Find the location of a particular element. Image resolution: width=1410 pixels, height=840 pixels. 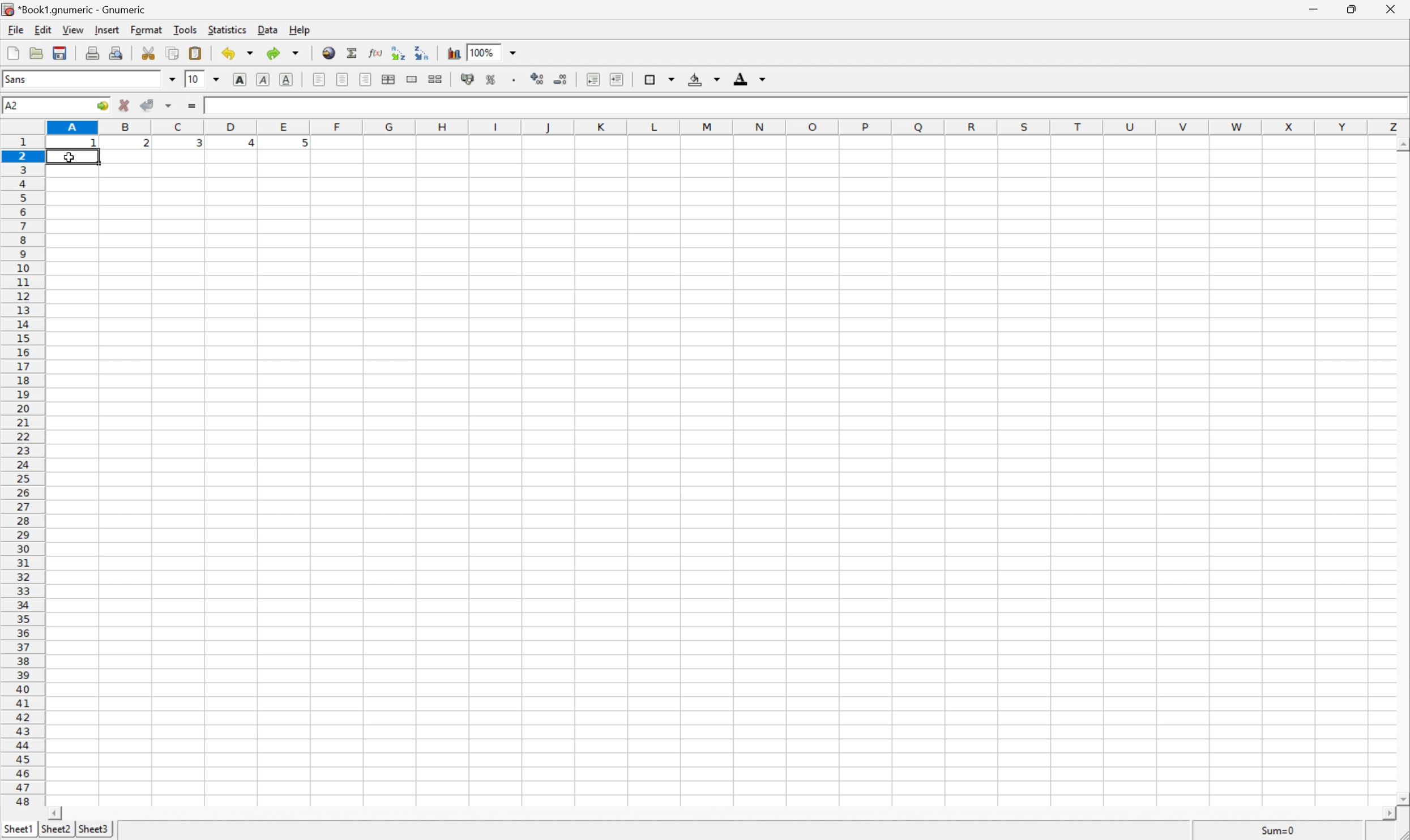

borders is located at coordinates (660, 78).